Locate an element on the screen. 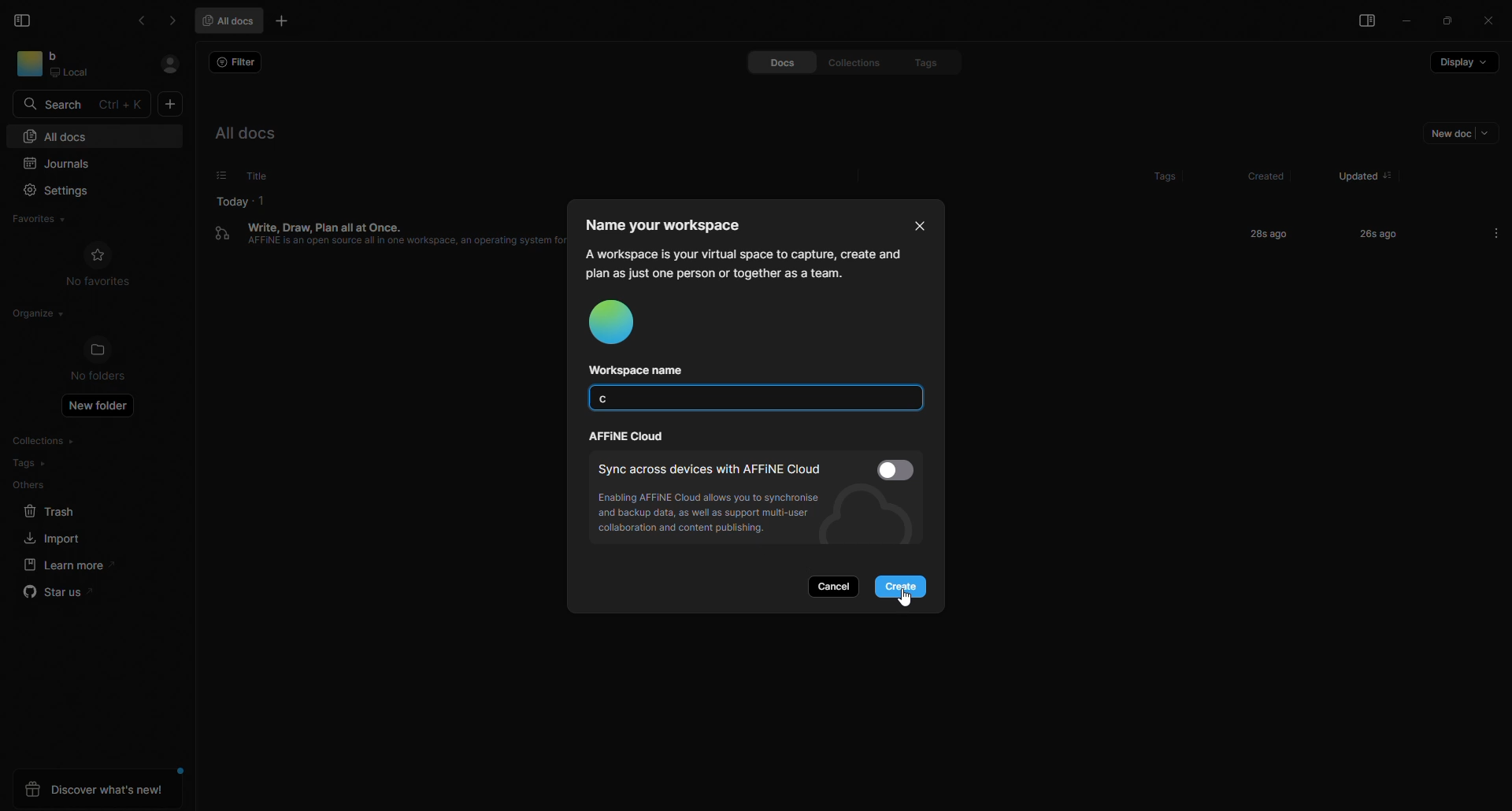 The width and height of the screenshot is (1512, 811). all docs is located at coordinates (232, 20).